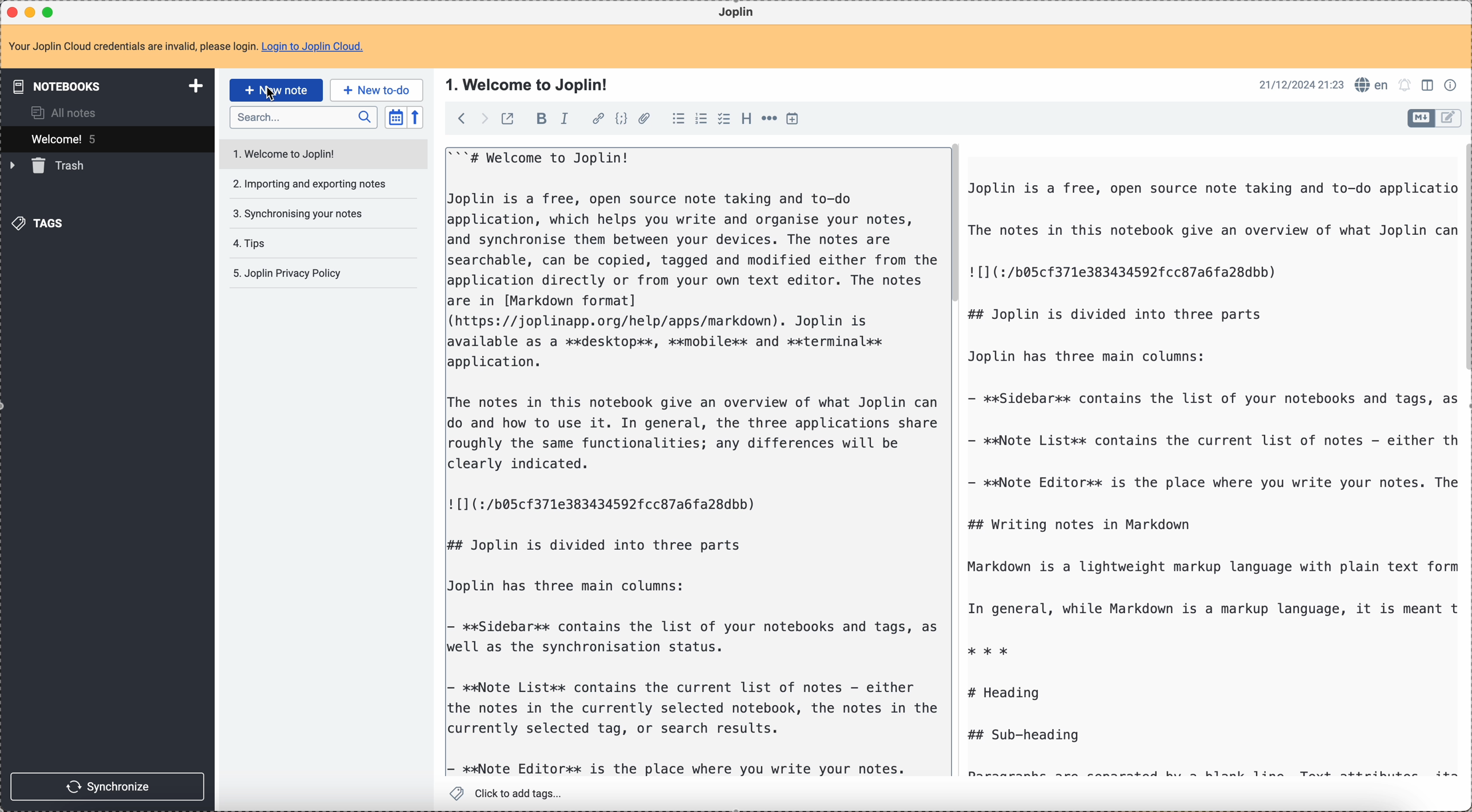  Describe the element at coordinates (769, 120) in the screenshot. I see `horizontal rule` at that location.